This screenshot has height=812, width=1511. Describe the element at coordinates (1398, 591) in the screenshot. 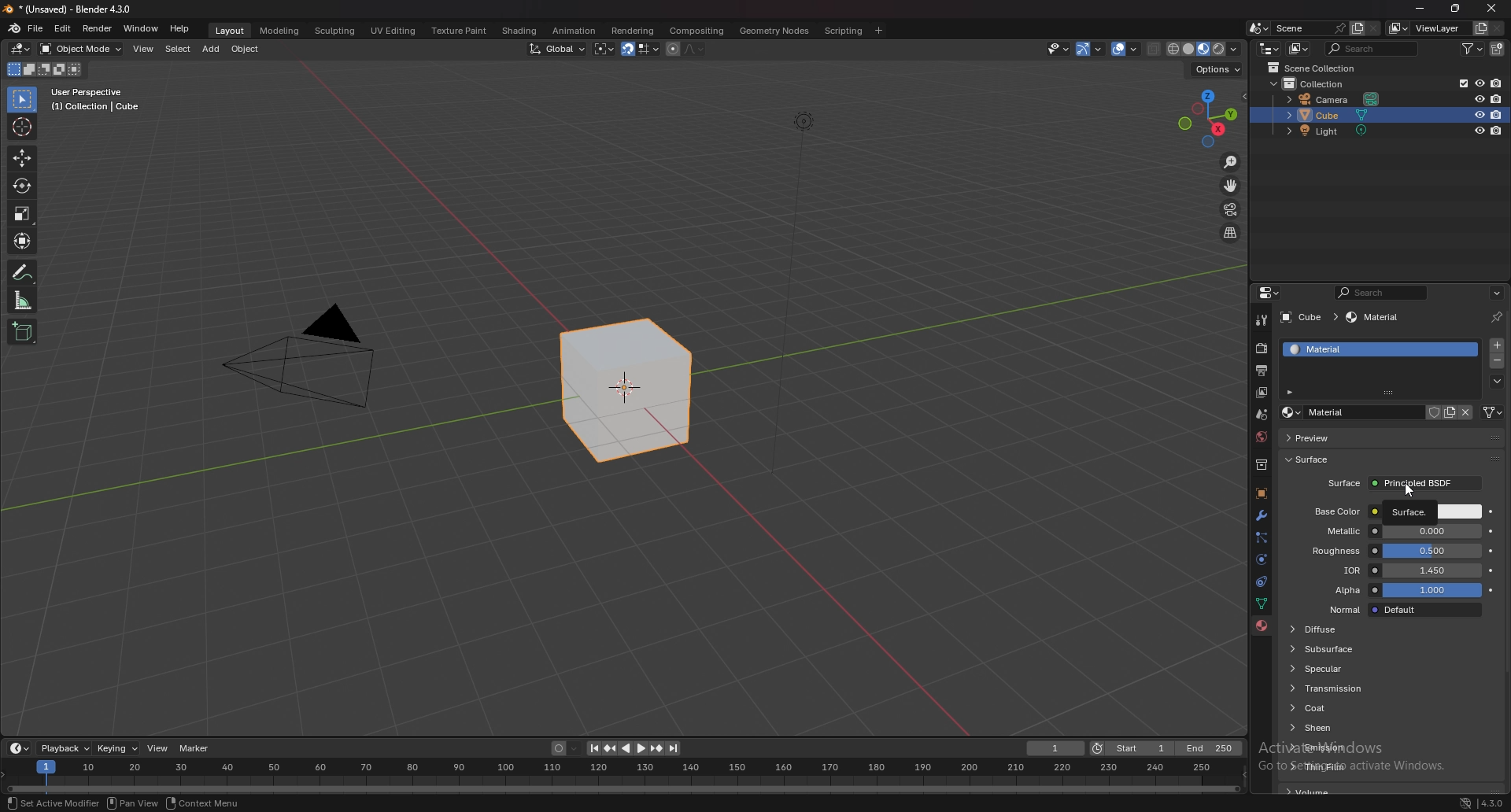

I see `alpha` at that location.